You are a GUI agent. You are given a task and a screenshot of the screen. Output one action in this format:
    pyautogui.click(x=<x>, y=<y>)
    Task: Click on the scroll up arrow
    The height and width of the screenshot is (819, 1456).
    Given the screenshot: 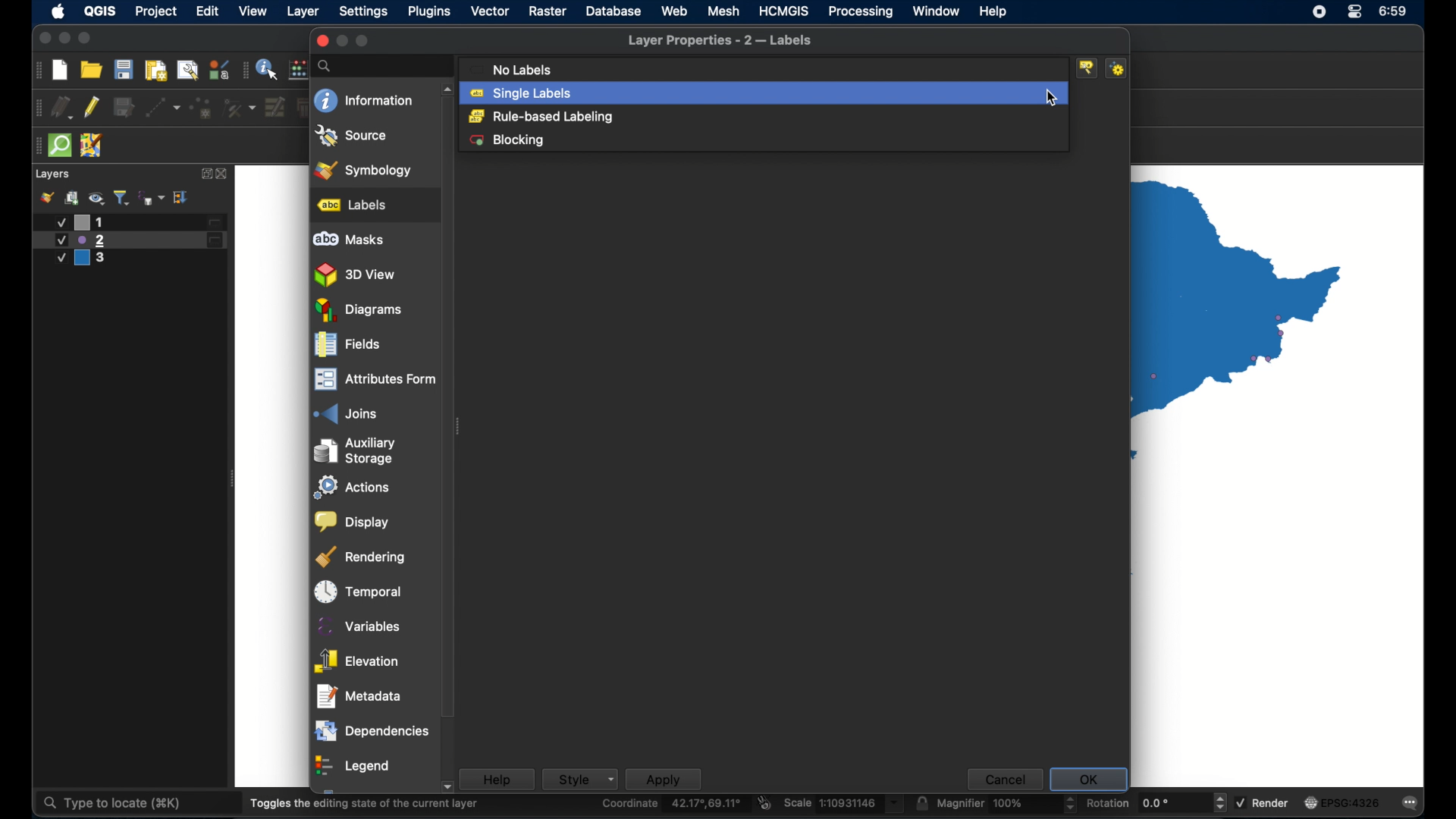 What is the action you would take?
    pyautogui.click(x=447, y=89)
    